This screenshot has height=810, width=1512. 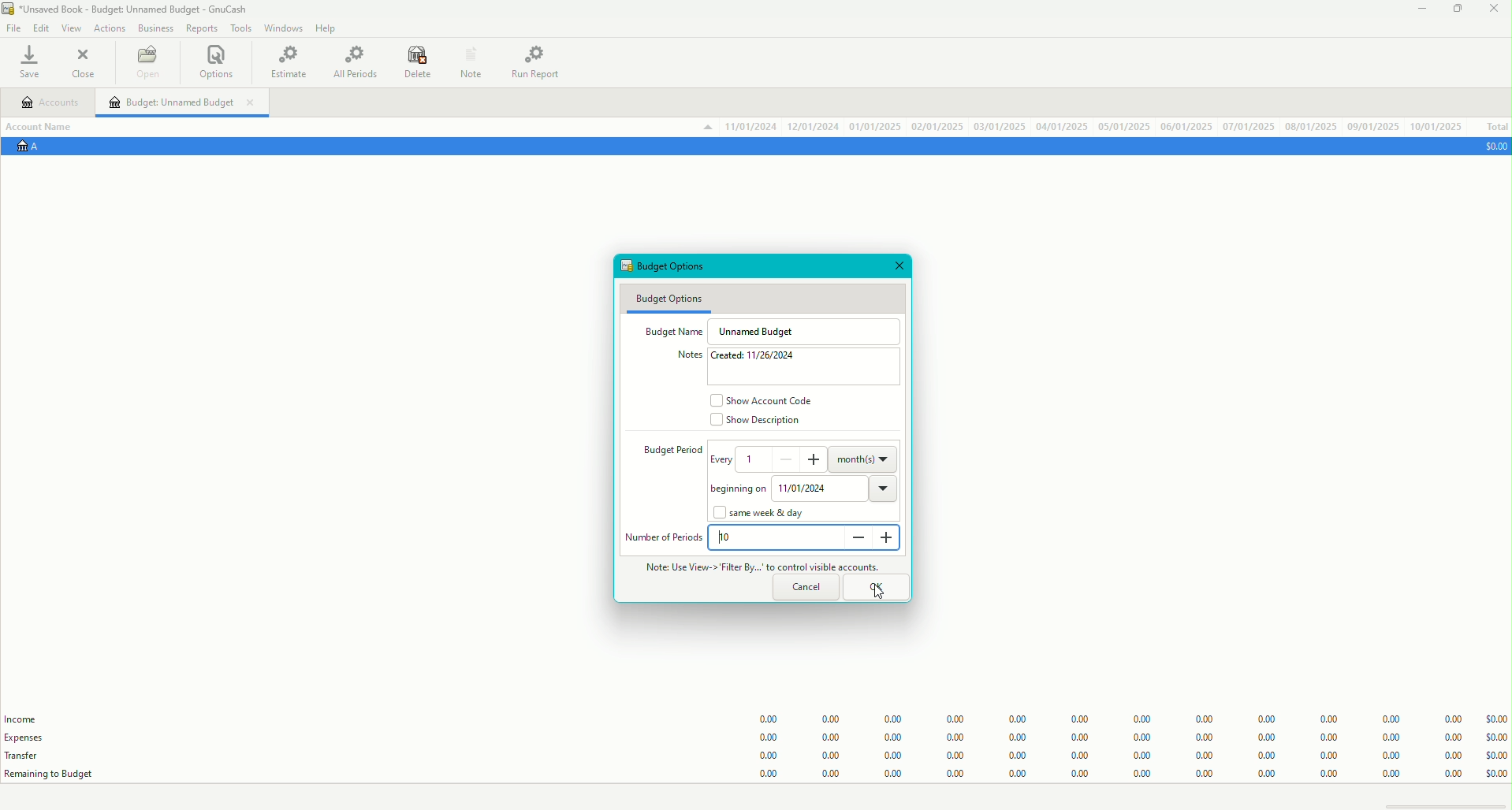 What do you see at coordinates (70, 29) in the screenshot?
I see `View` at bounding box center [70, 29].